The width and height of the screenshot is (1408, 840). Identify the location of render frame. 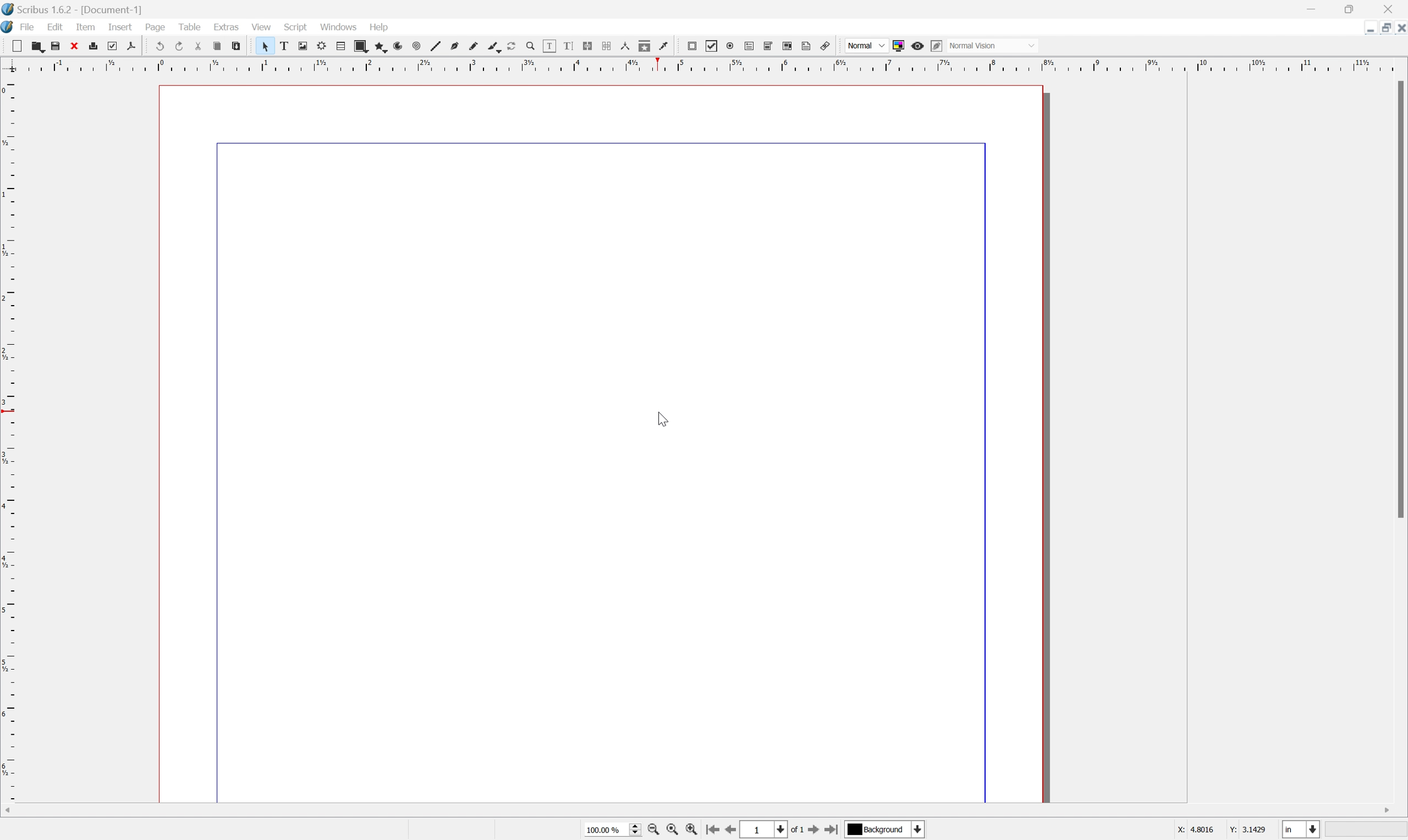
(322, 47).